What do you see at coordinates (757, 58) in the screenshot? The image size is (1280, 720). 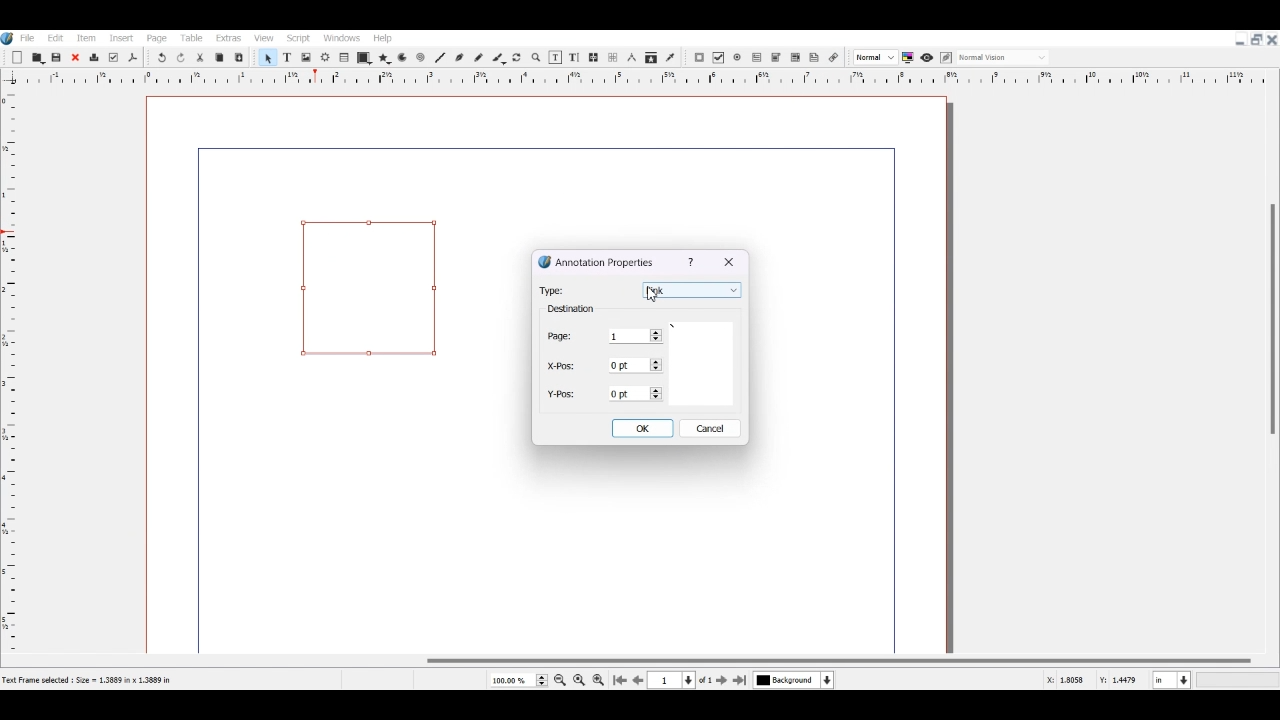 I see `PDF Text Field` at bounding box center [757, 58].